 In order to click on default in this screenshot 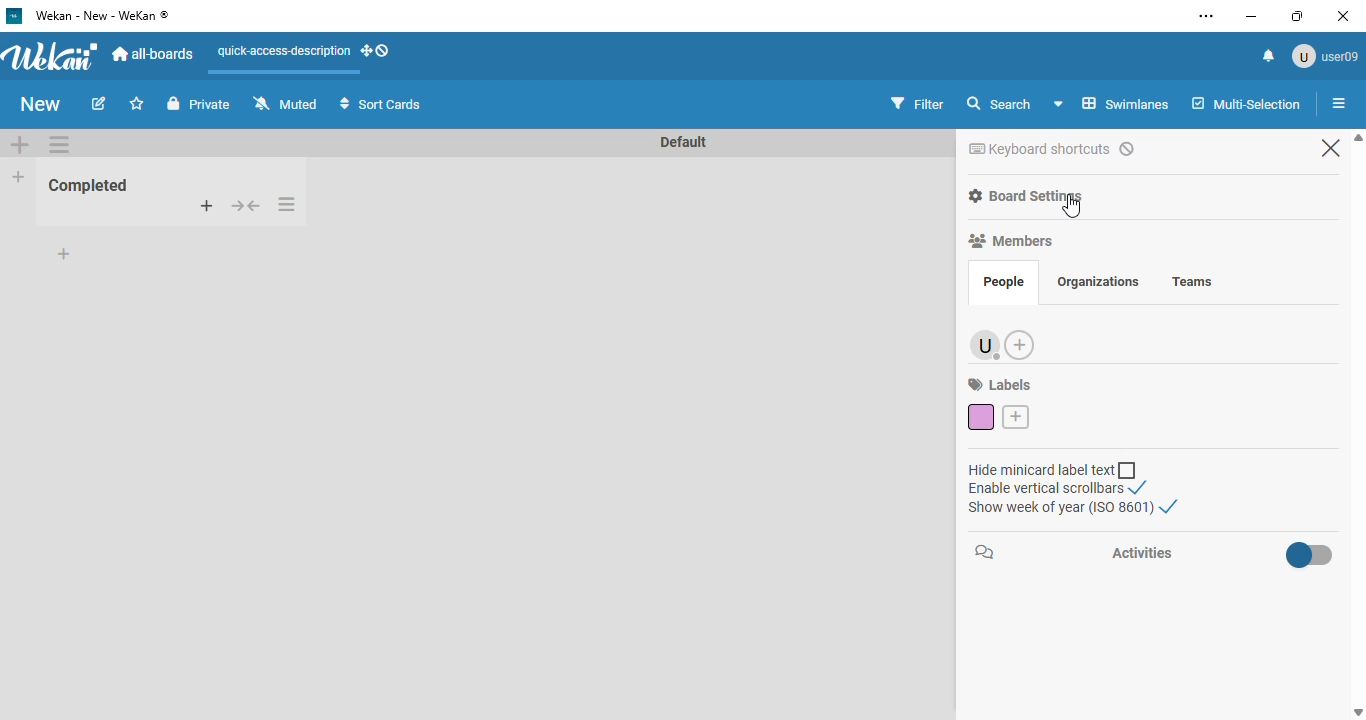, I will do `click(981, 418)`.